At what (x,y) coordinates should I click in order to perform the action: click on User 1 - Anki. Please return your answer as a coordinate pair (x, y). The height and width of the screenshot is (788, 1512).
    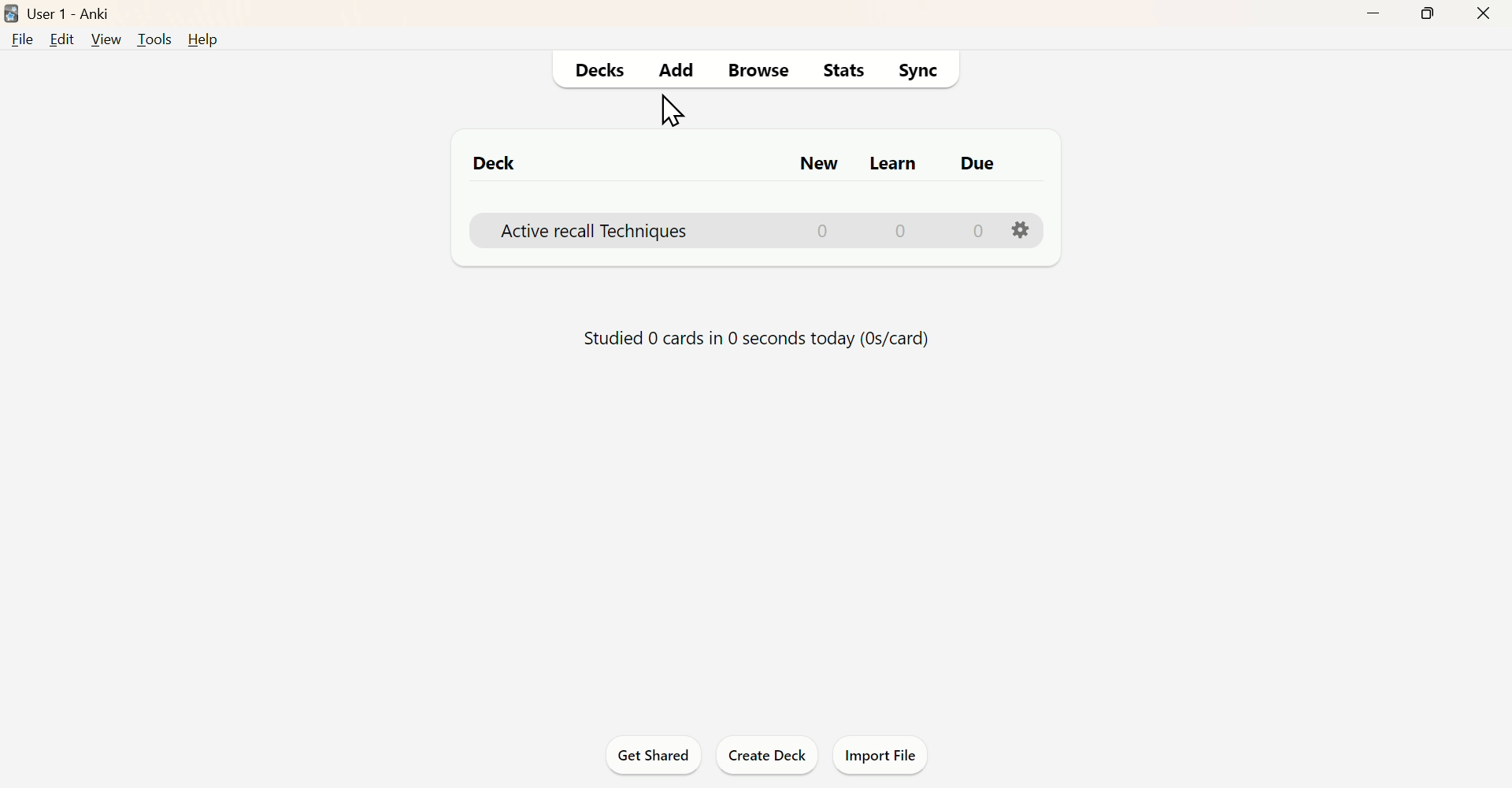
    Looking at the image, I should click on (75, 13).